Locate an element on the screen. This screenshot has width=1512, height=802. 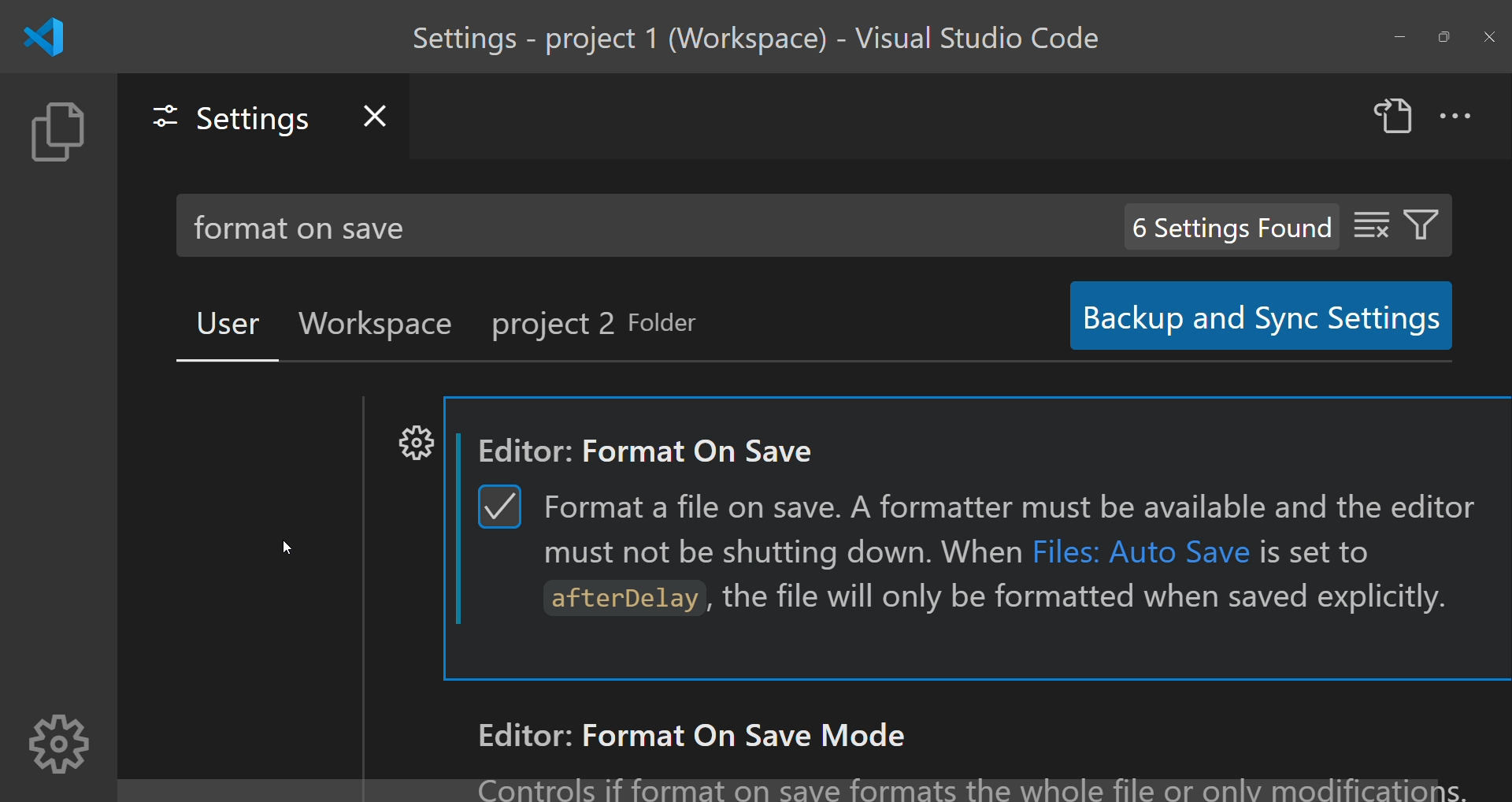
Files: Auto Save is located at coordinates (1140, 551).